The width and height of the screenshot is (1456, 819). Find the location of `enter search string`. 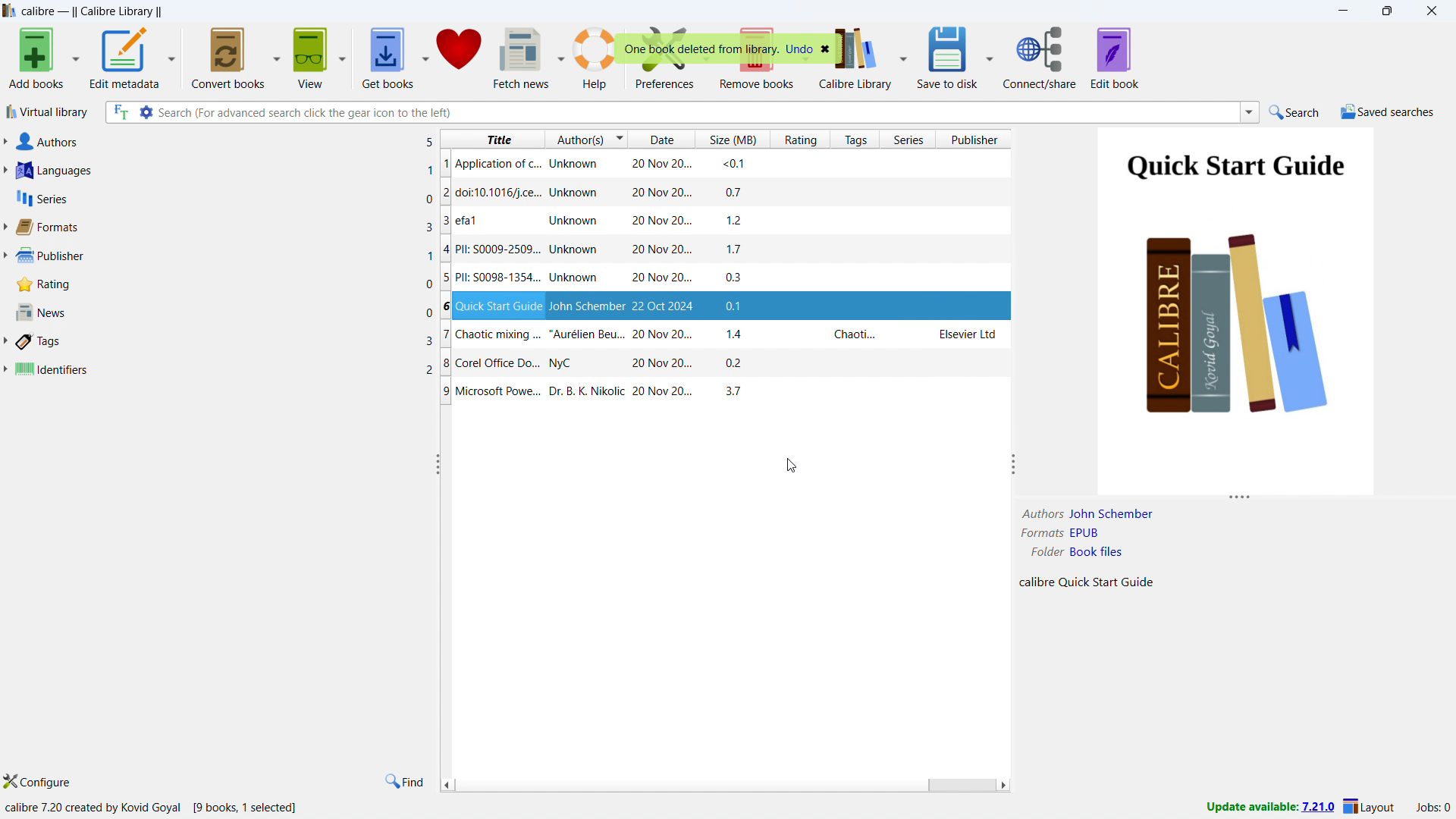

enter search string is located at coordinates (698, 112).